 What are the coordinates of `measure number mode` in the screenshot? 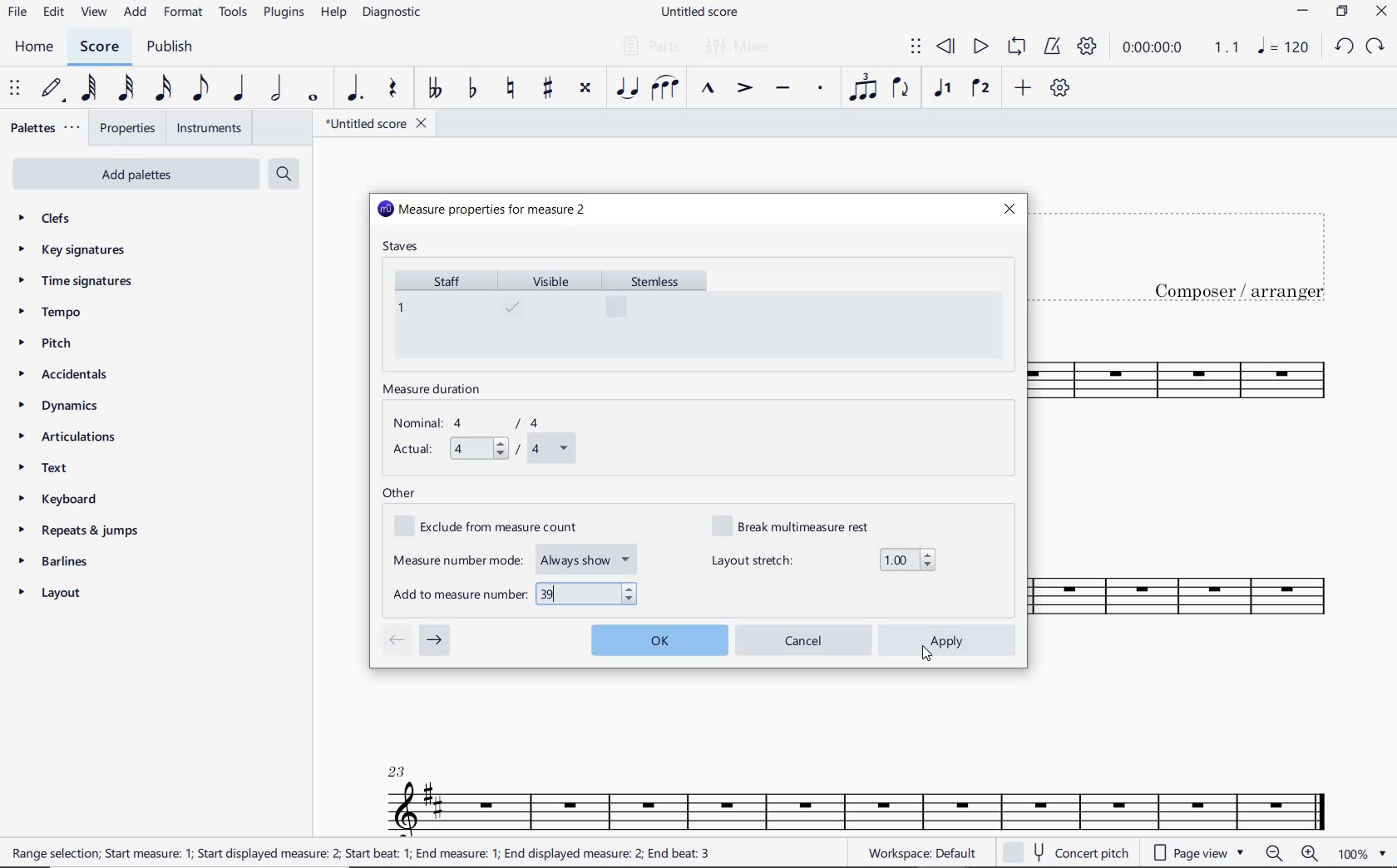 It's located at (516, 557).